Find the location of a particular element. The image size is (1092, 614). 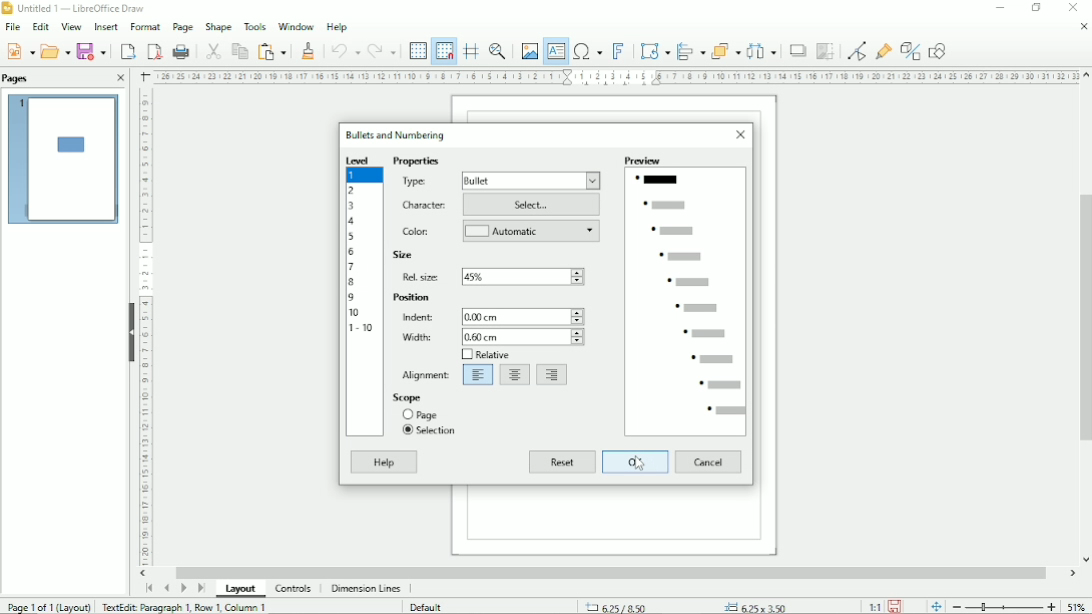

Export directly as PDF is located at coordinates (154, 51).